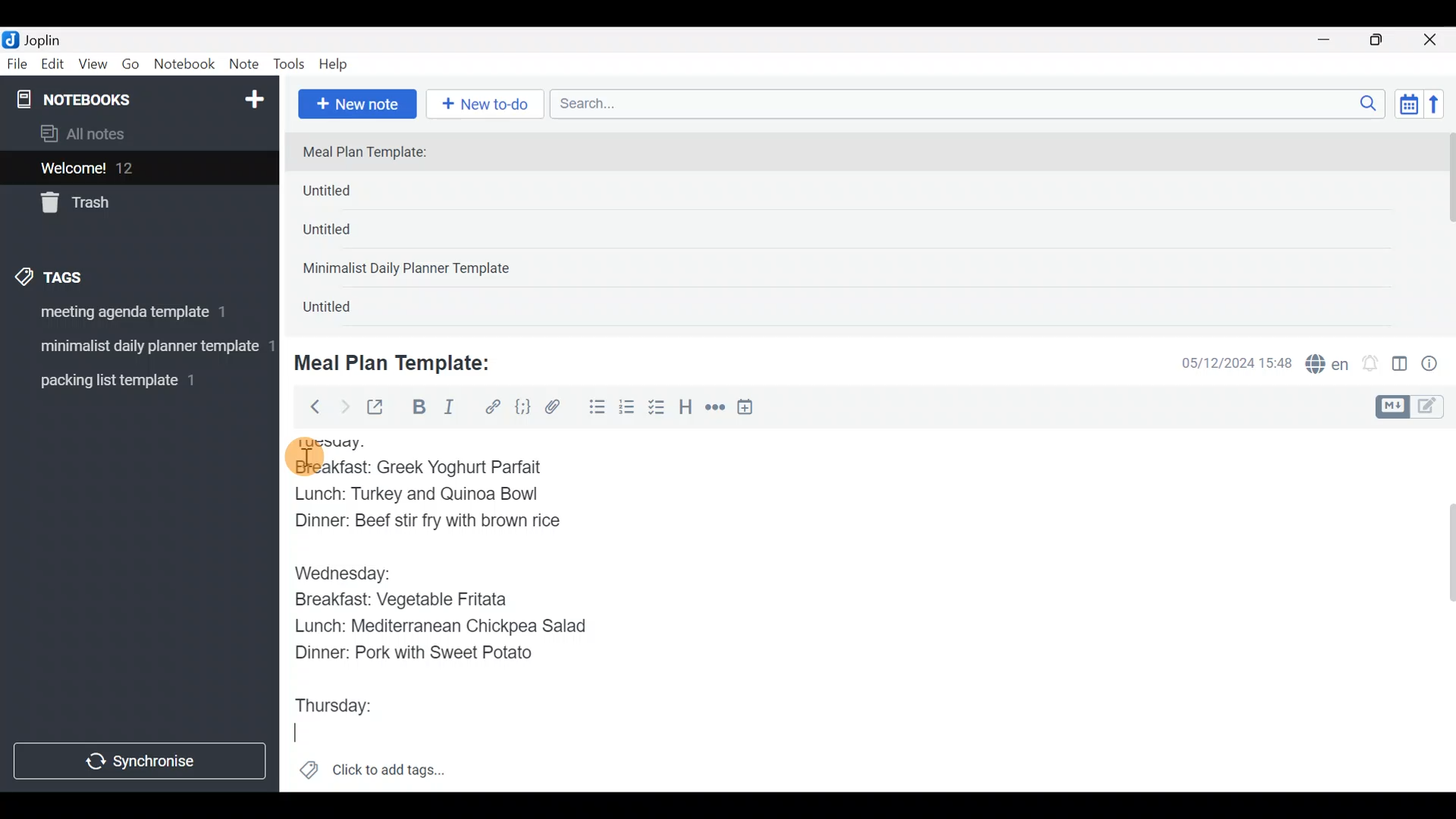 The image size is (1456, 819). I want to click on Insert time, so click(752, 409).